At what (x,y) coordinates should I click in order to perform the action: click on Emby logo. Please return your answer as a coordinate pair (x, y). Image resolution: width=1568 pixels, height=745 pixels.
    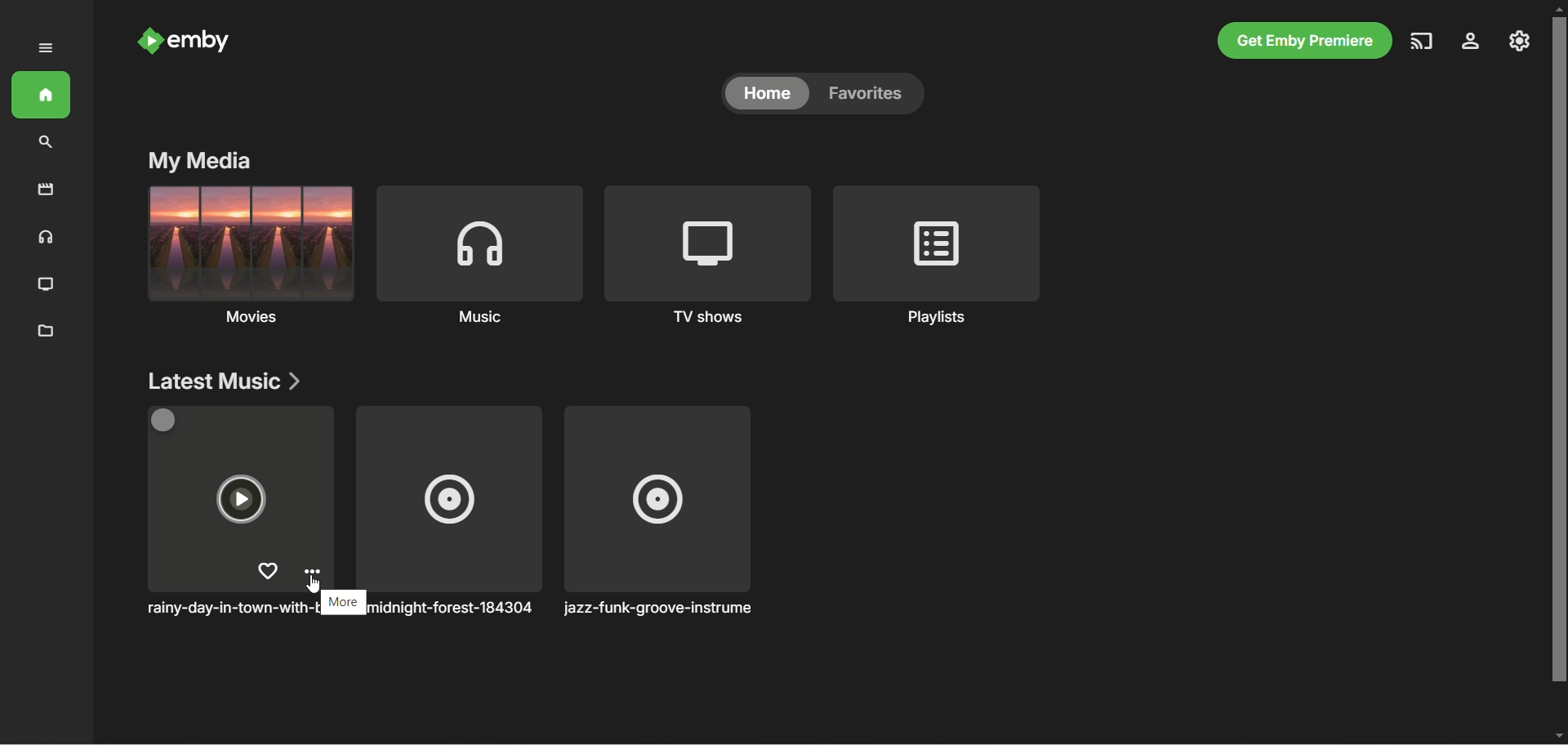
    Looking at the image, I should click on (149, 41).